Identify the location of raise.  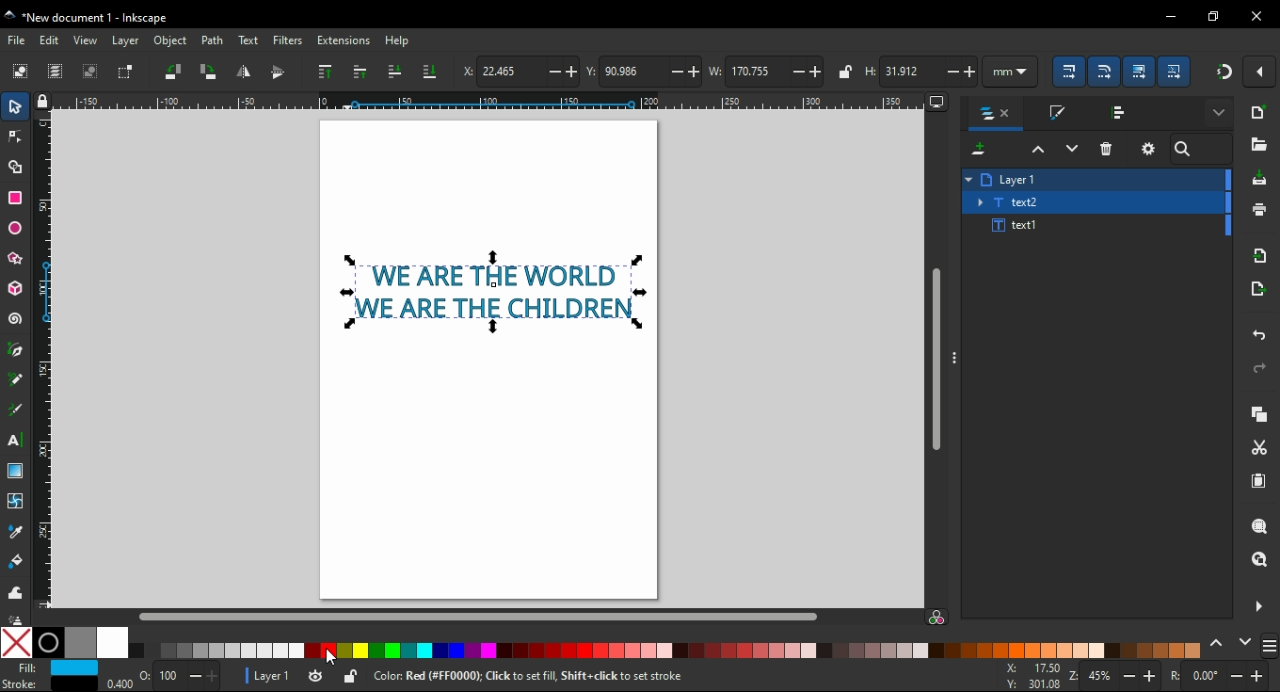
(359, 72).